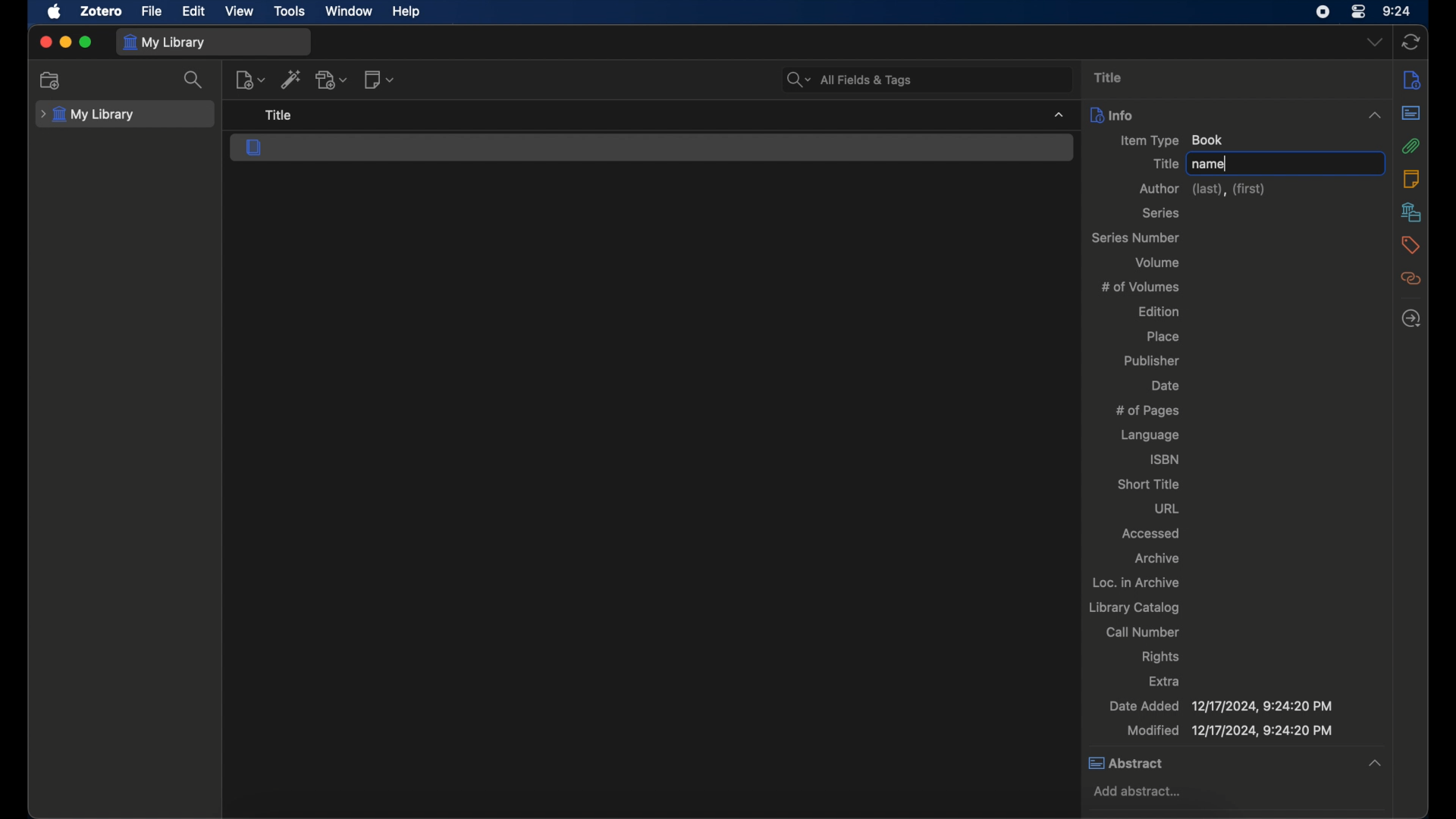 This screenshot has width=1456, height=819. I want to click on short title, so click(1148, 484).